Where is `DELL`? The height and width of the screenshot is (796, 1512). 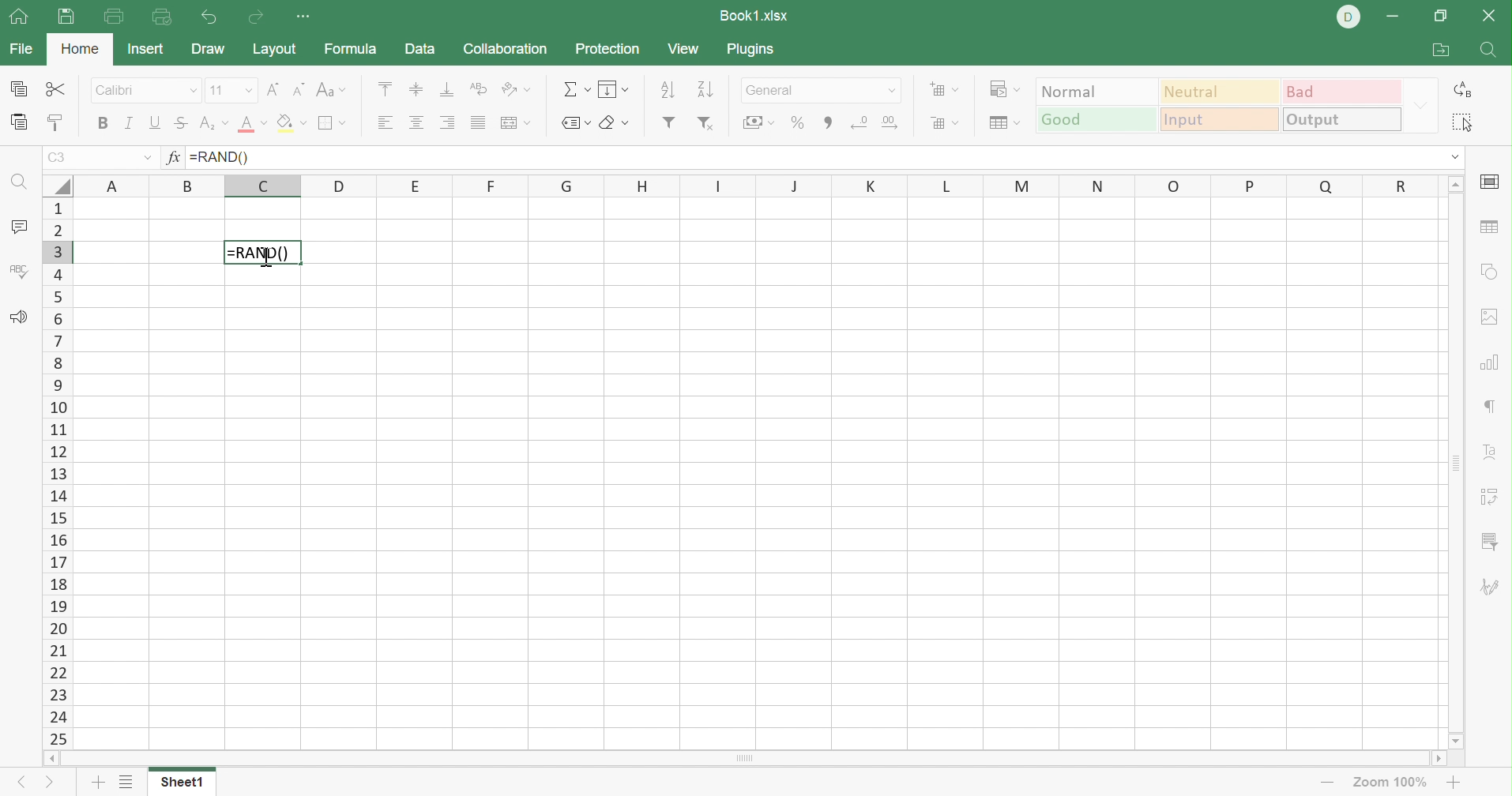
DELL is located at coordinates (1348, 17).